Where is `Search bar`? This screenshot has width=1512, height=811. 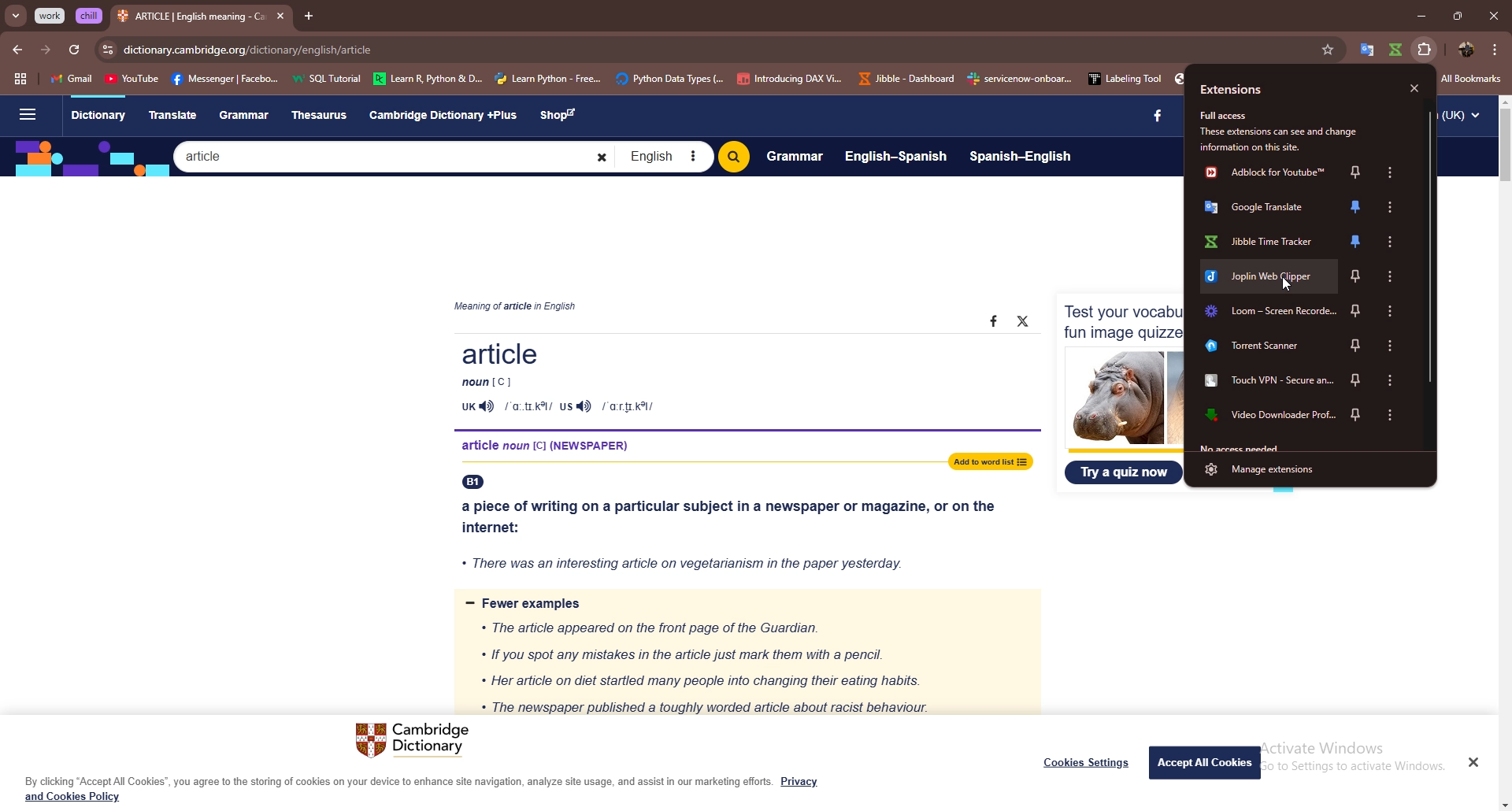
Search bar is located at coordinates (394, 156).